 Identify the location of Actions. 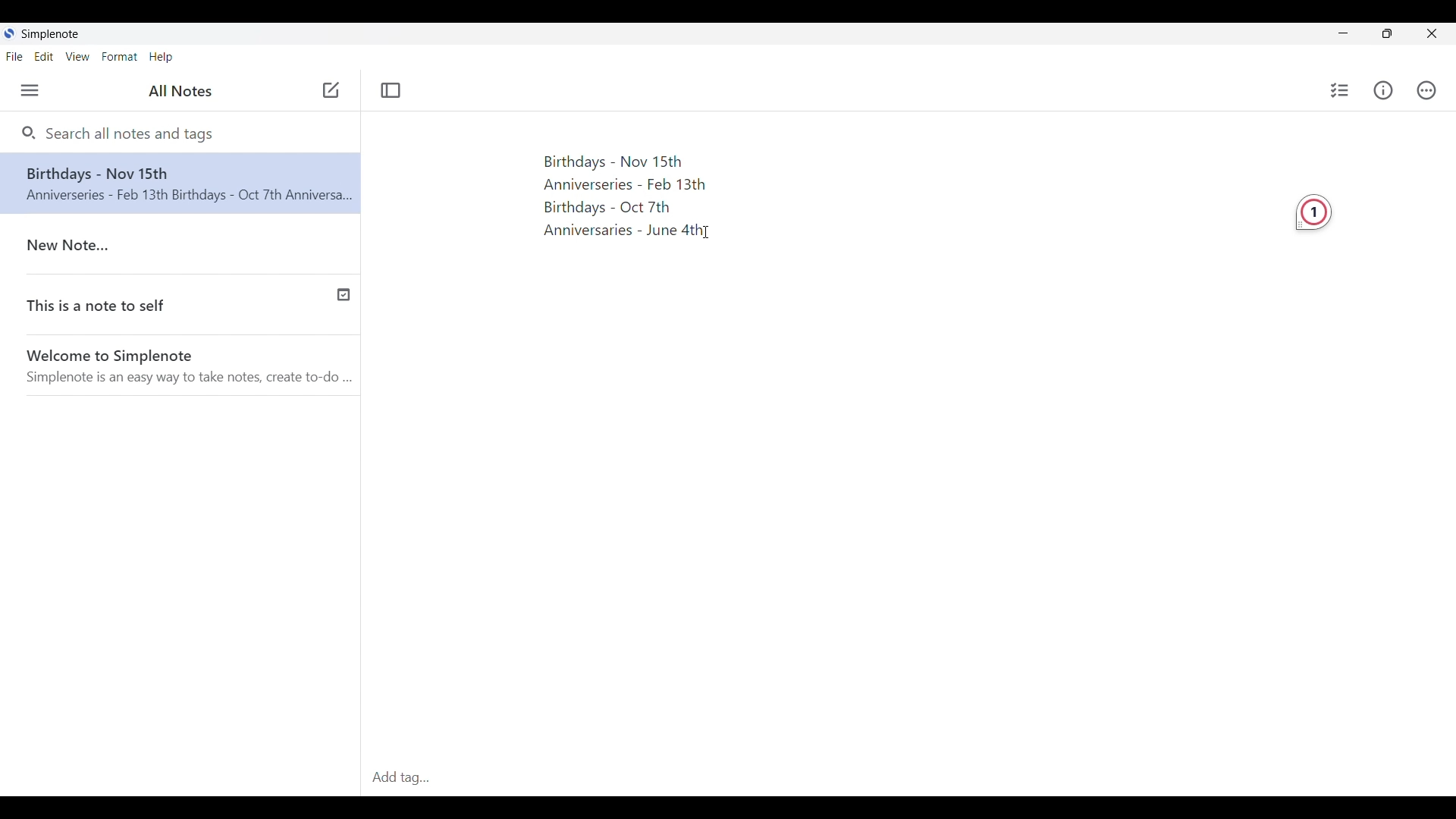
(1426, 90).